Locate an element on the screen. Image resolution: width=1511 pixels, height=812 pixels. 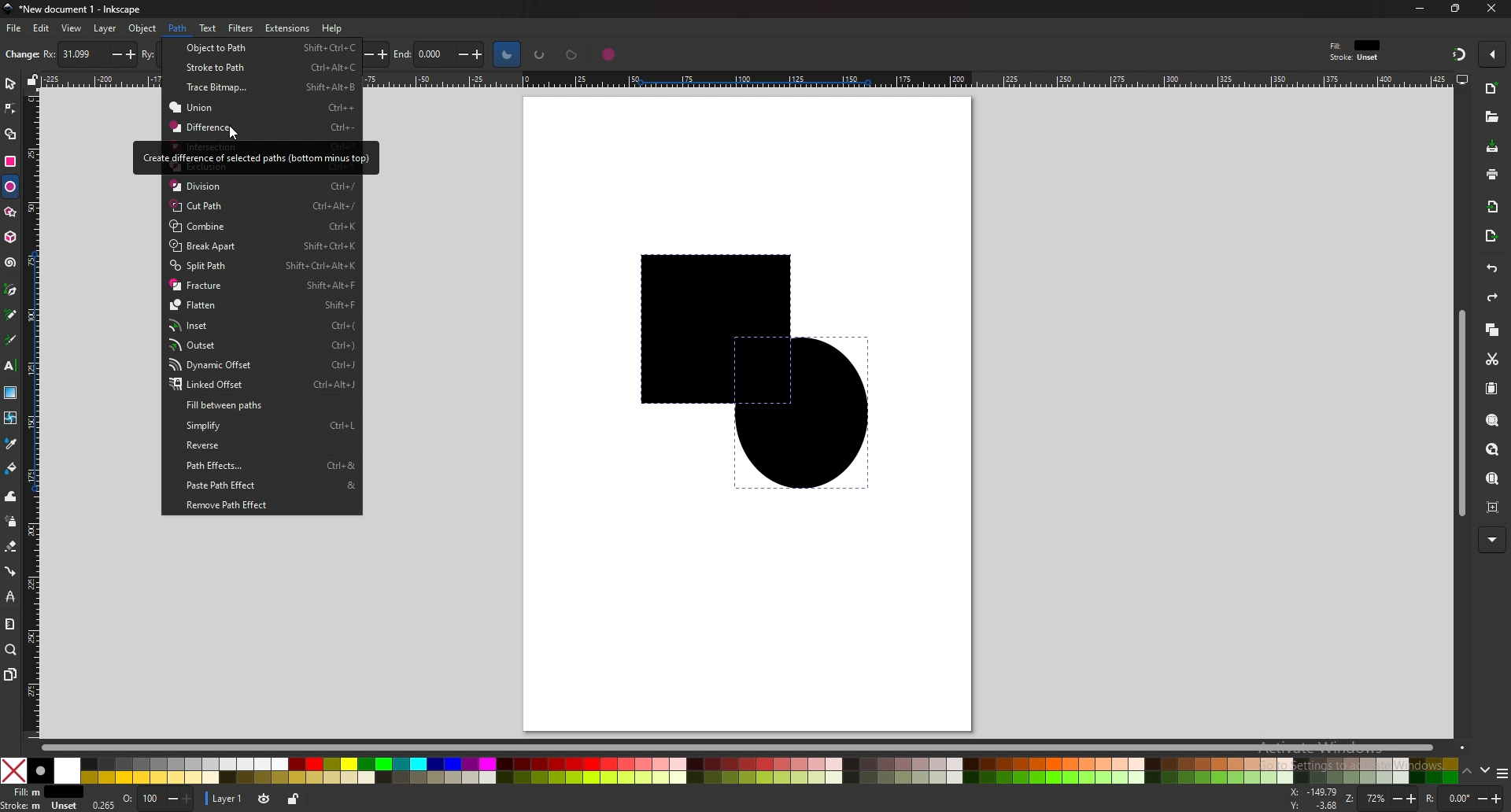
snapping is located at coordinates (1457, 54).